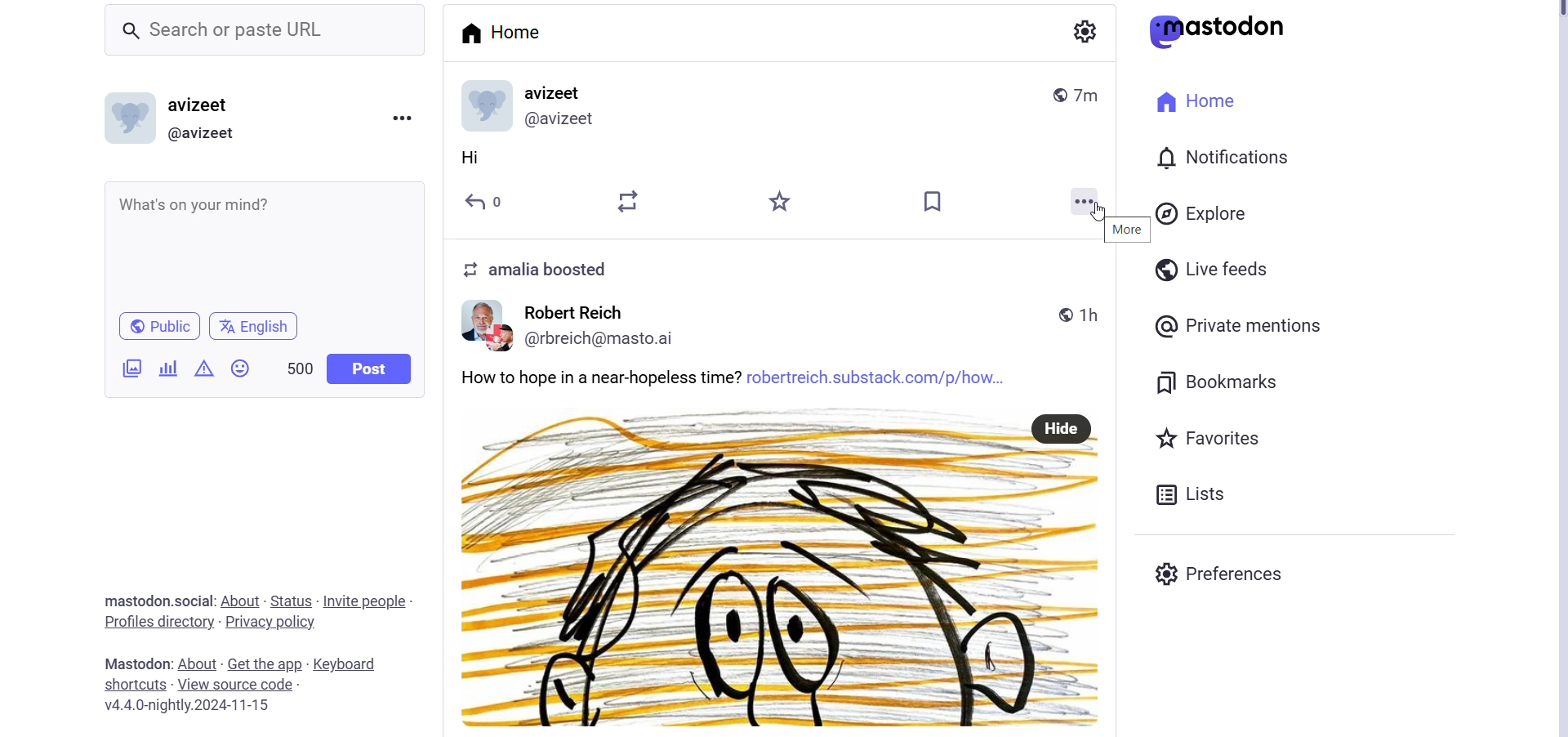 Image resolution: width=1568 pixels, height=737 pixels. What do you see at coordinates (1120, 226) in the screenshot?
I see `More` at bounding box center [1120, 226].